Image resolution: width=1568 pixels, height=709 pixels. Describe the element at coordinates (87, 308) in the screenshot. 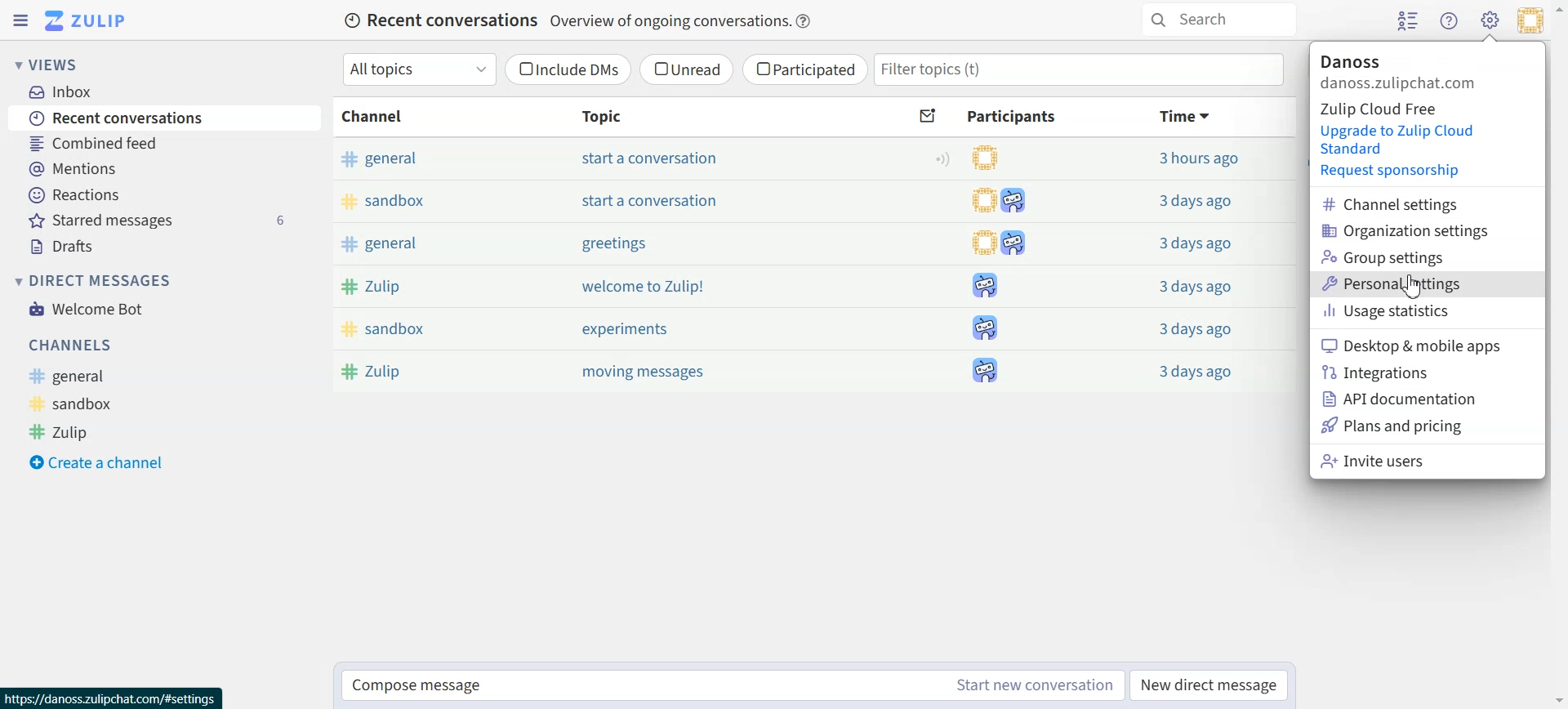

I see `Welcome Bot` at that location.